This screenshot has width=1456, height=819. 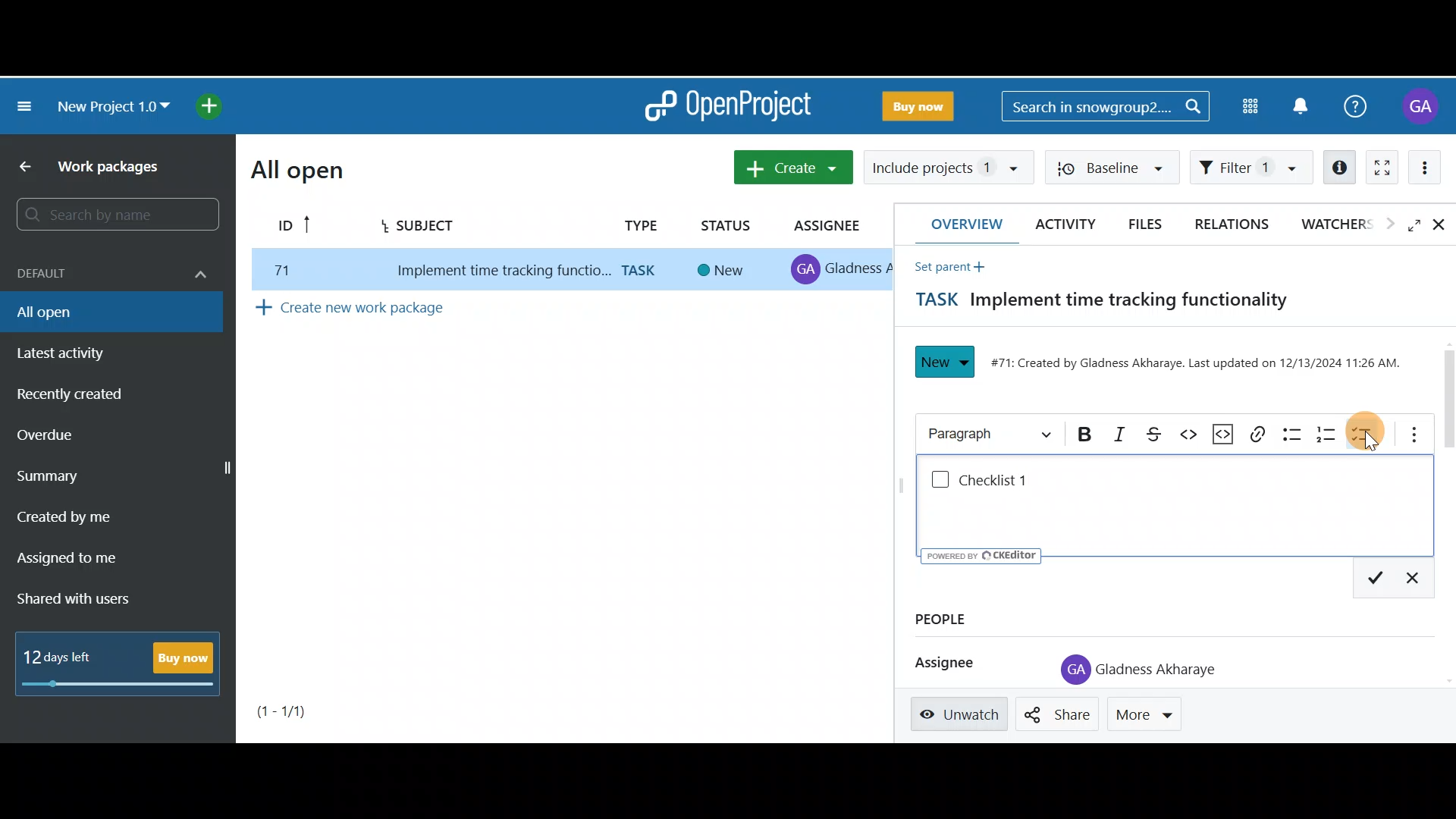 I want to click on All open, so click(x=94, y=315).